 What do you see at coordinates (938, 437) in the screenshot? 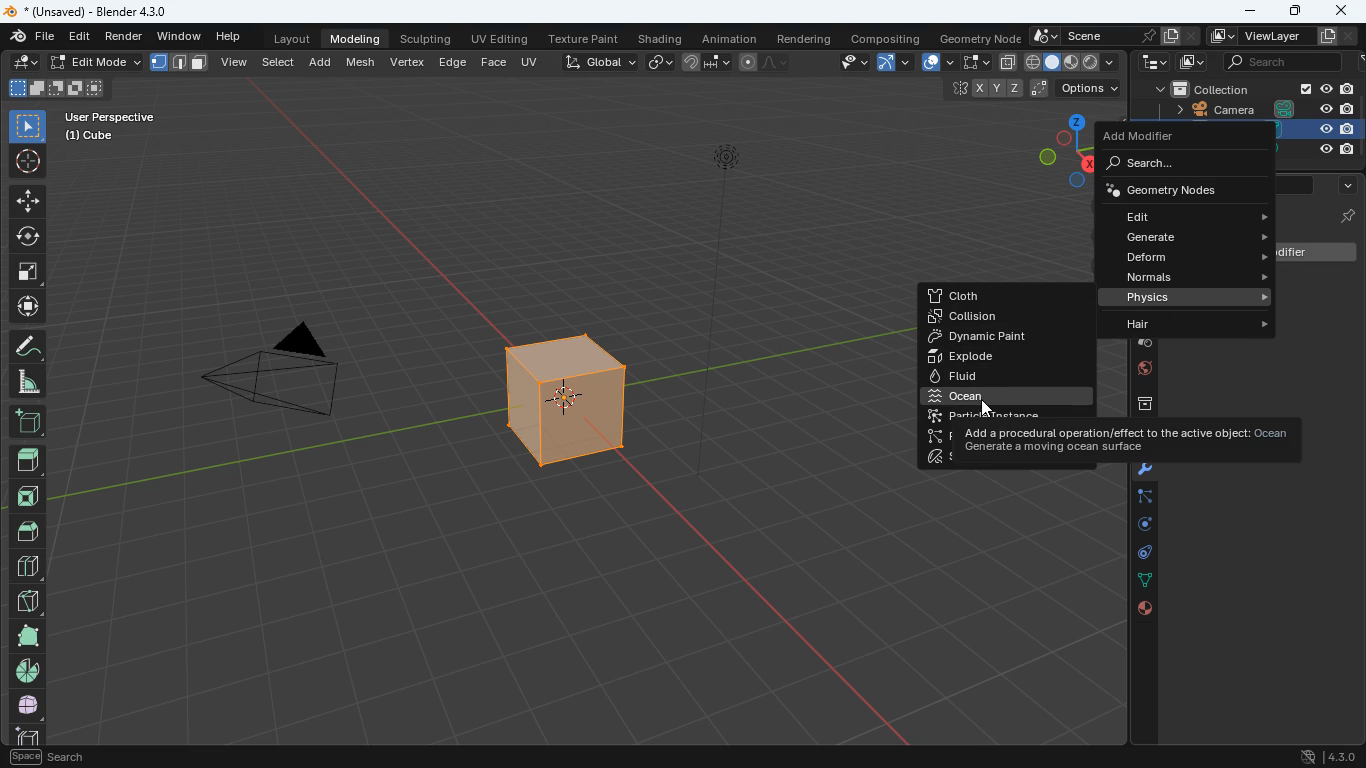
I see `particle system` at bounding box center [938, 437].